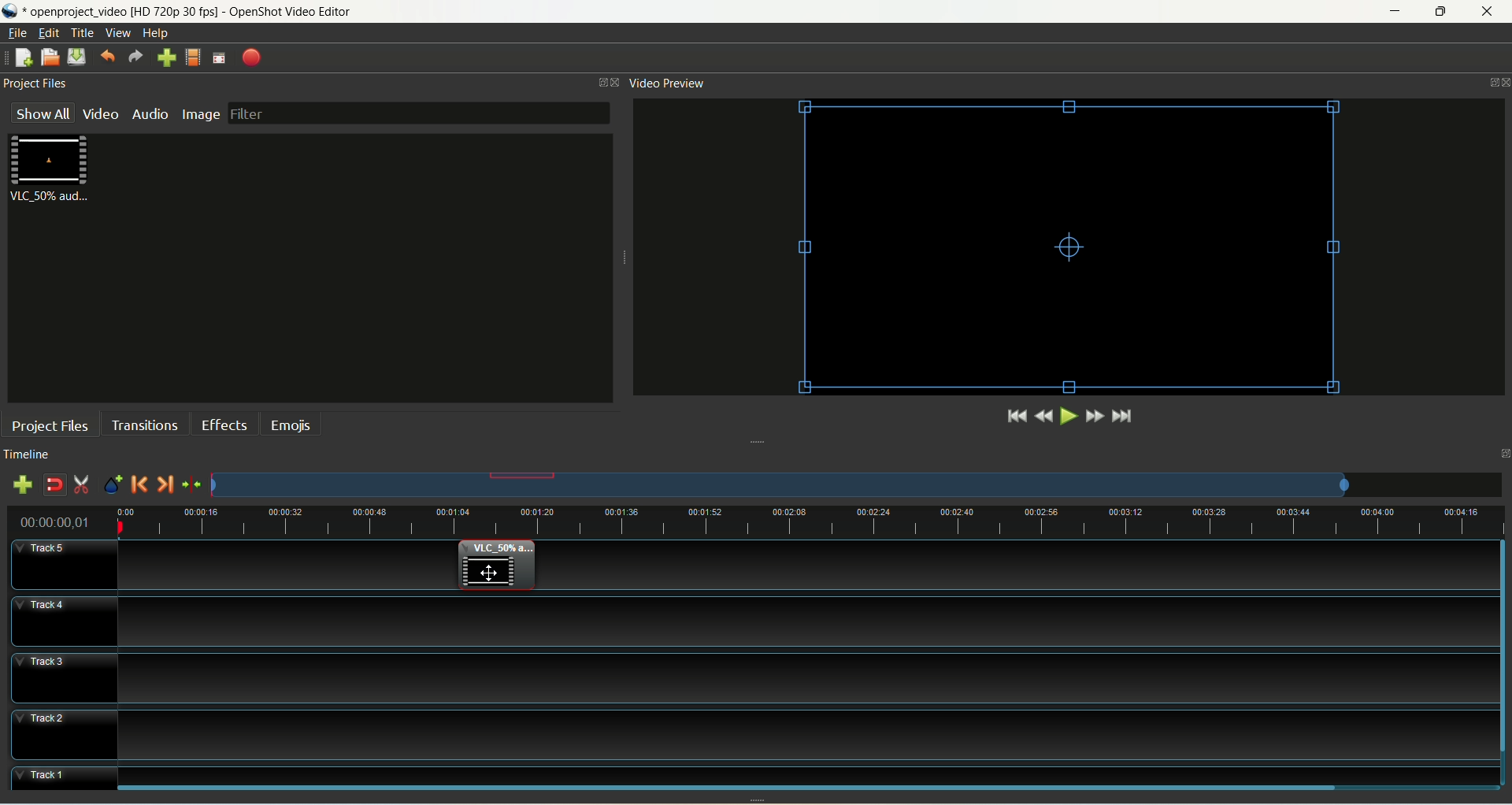  What do you see at coordinates (226, 9) in the screenshot?
I see `openproject_video [HD 720p 30 fps) - OpenShot Video Editor` at bounding box center [226, 9].